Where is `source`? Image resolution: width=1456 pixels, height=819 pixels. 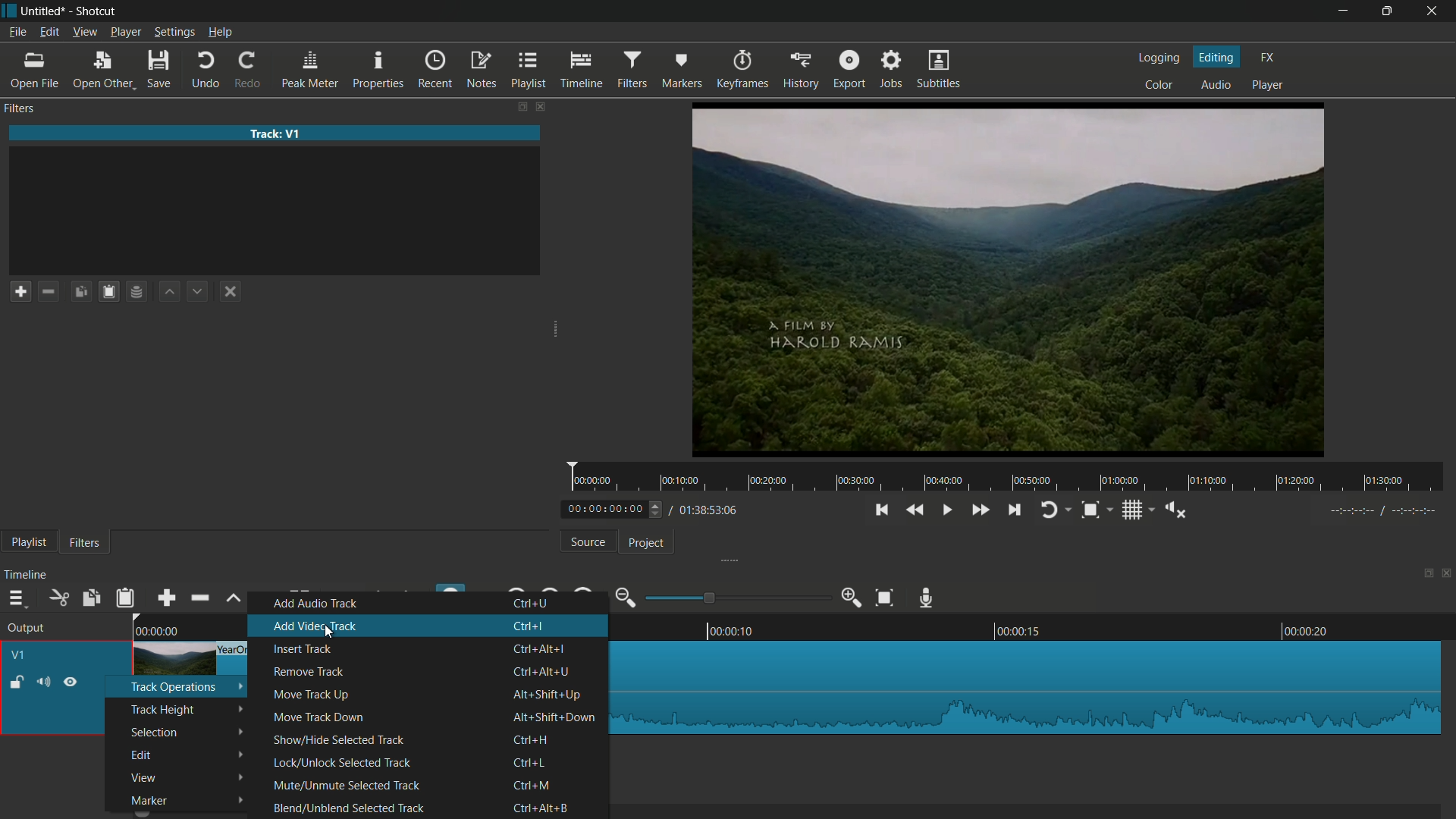 source is located at coordinates (588, 542).